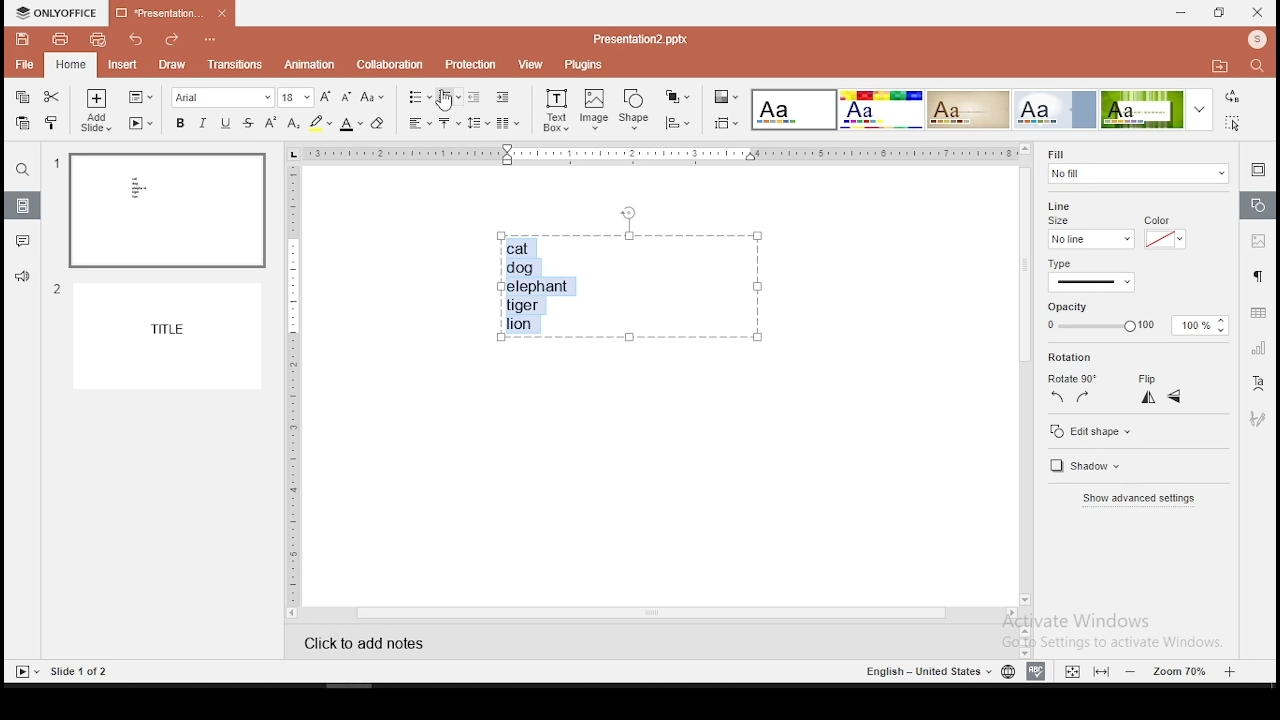 The height and width of the screenshot is (720, 1280). Describe the element at coordinates (1120, 272) in the screenshot. I see `type` at that location.